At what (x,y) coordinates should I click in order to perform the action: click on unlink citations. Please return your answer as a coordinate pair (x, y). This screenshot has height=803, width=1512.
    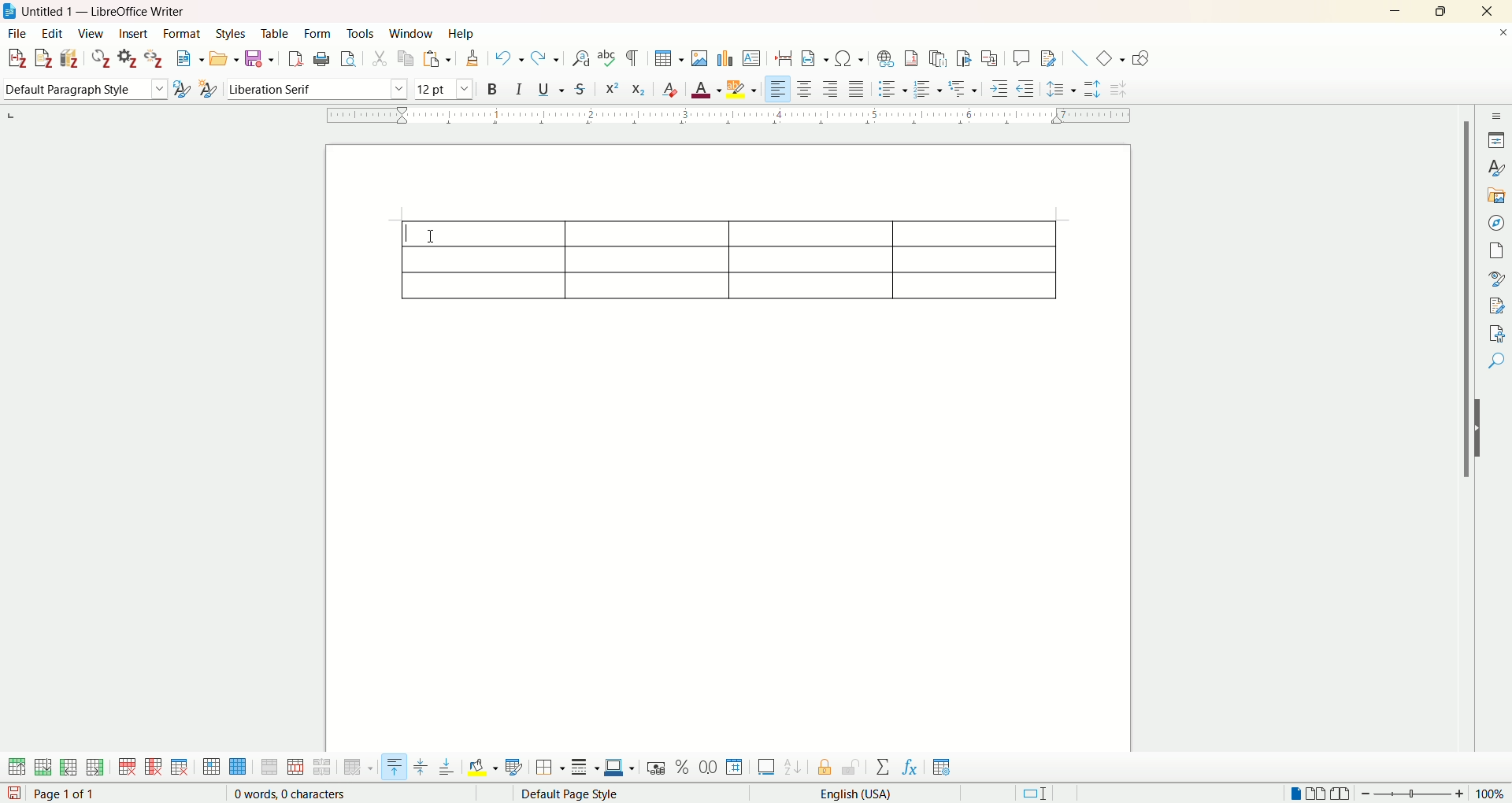
    Looking at the image, I should click on (154, 58).